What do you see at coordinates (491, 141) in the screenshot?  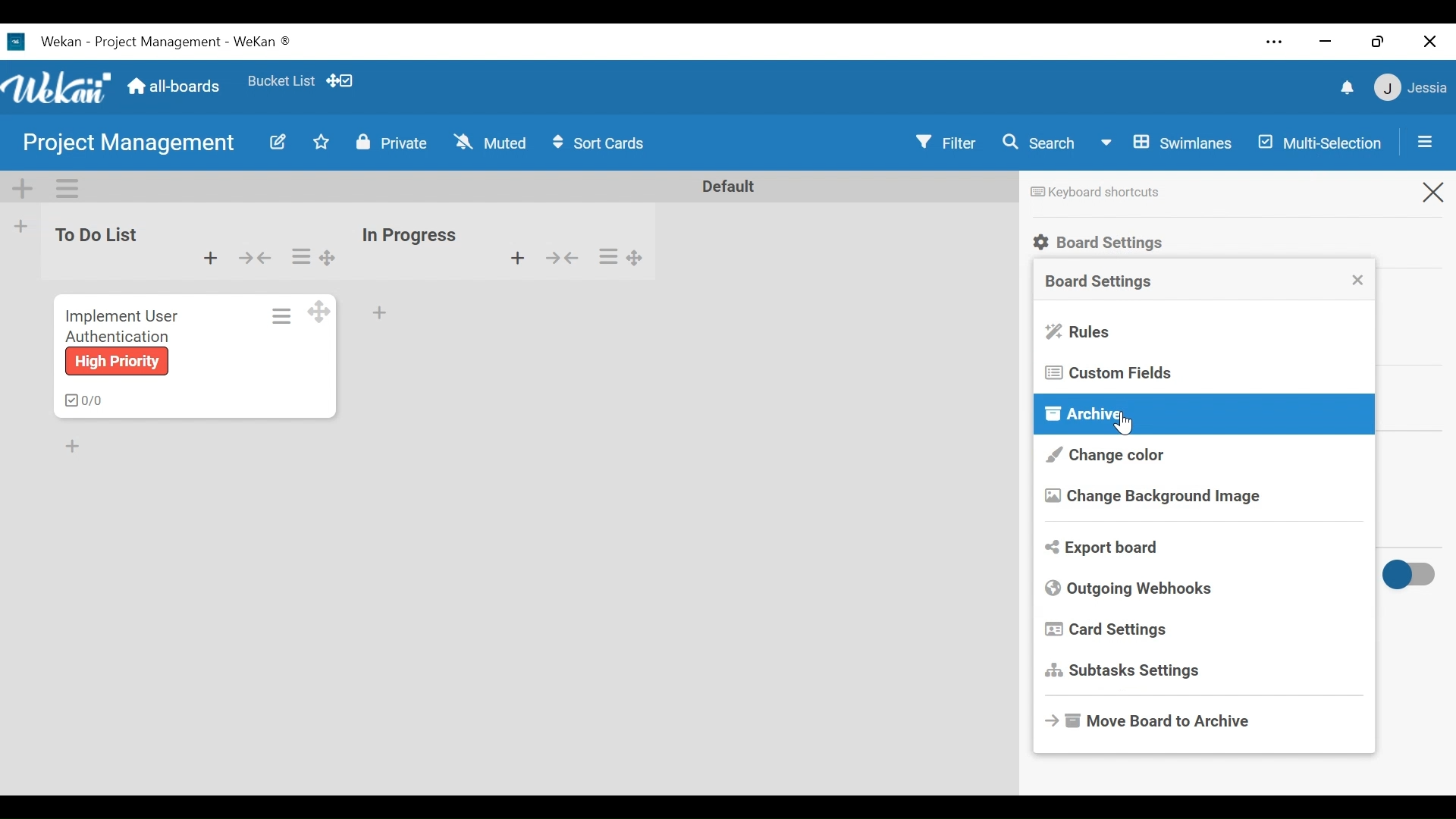 I see `Change Watch` at bounding box center [491, 141].